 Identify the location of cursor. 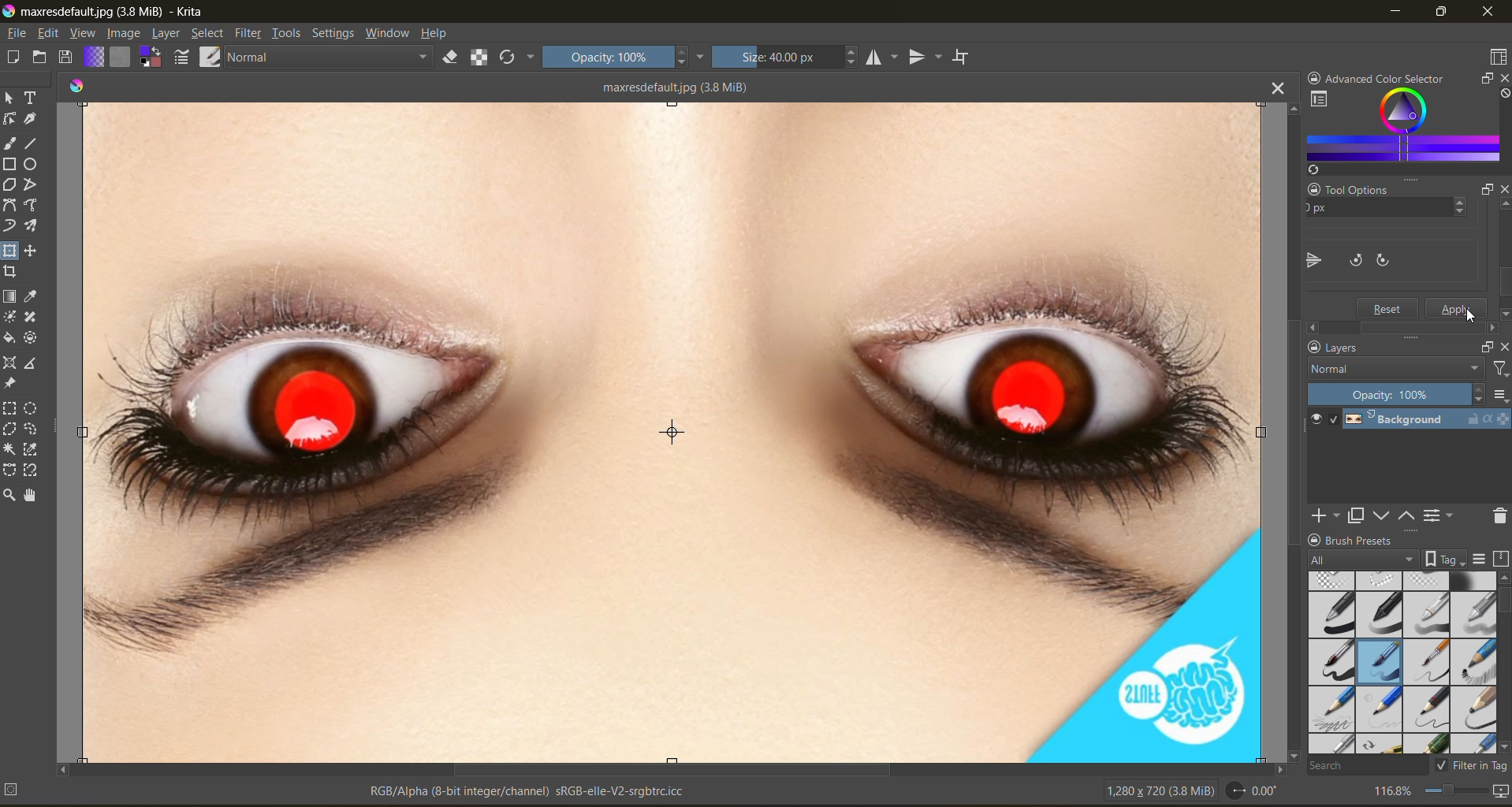
(1472, 317).